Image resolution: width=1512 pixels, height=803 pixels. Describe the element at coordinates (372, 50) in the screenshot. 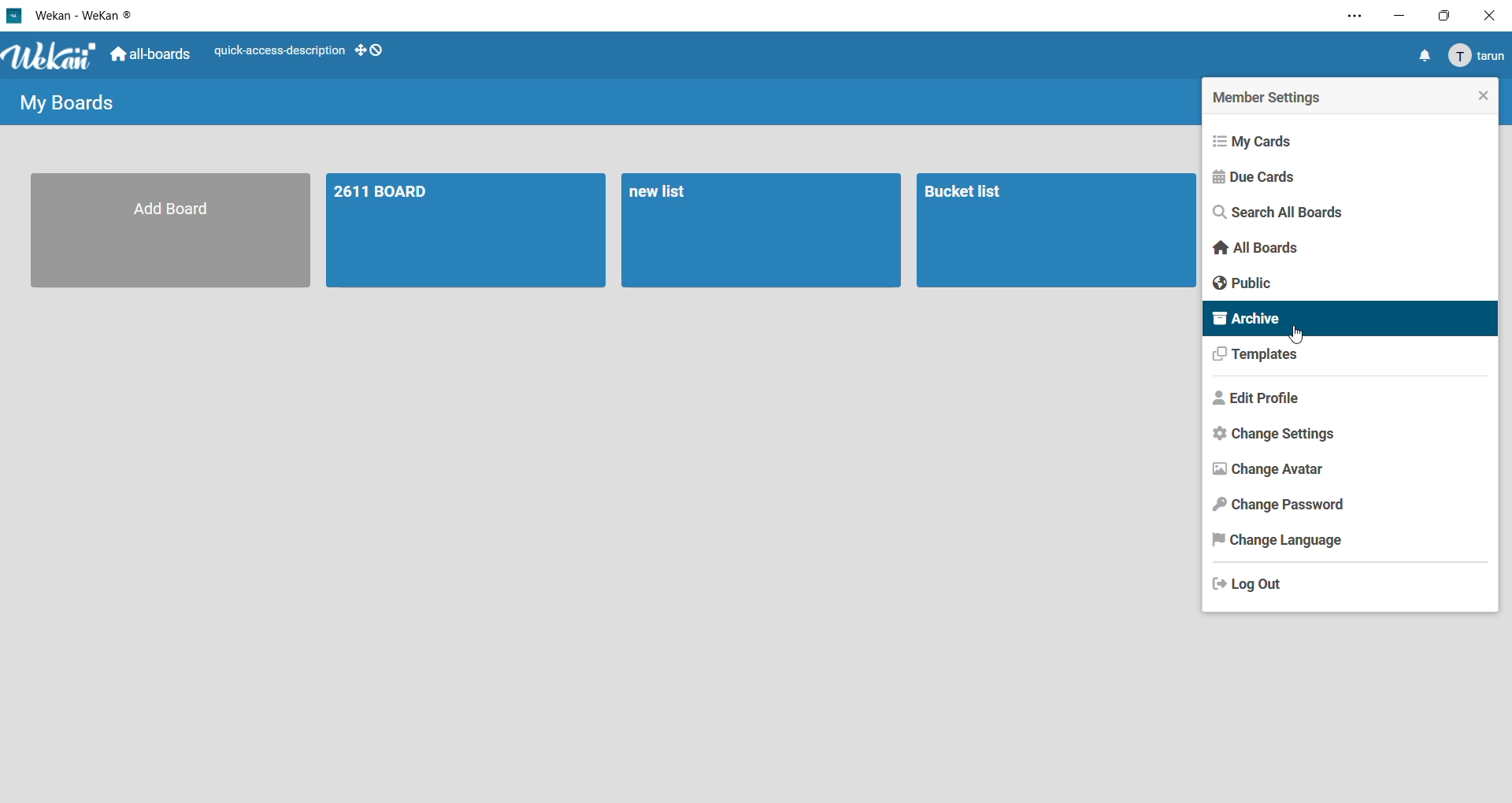

I see `show desktop drag handles` at that location.